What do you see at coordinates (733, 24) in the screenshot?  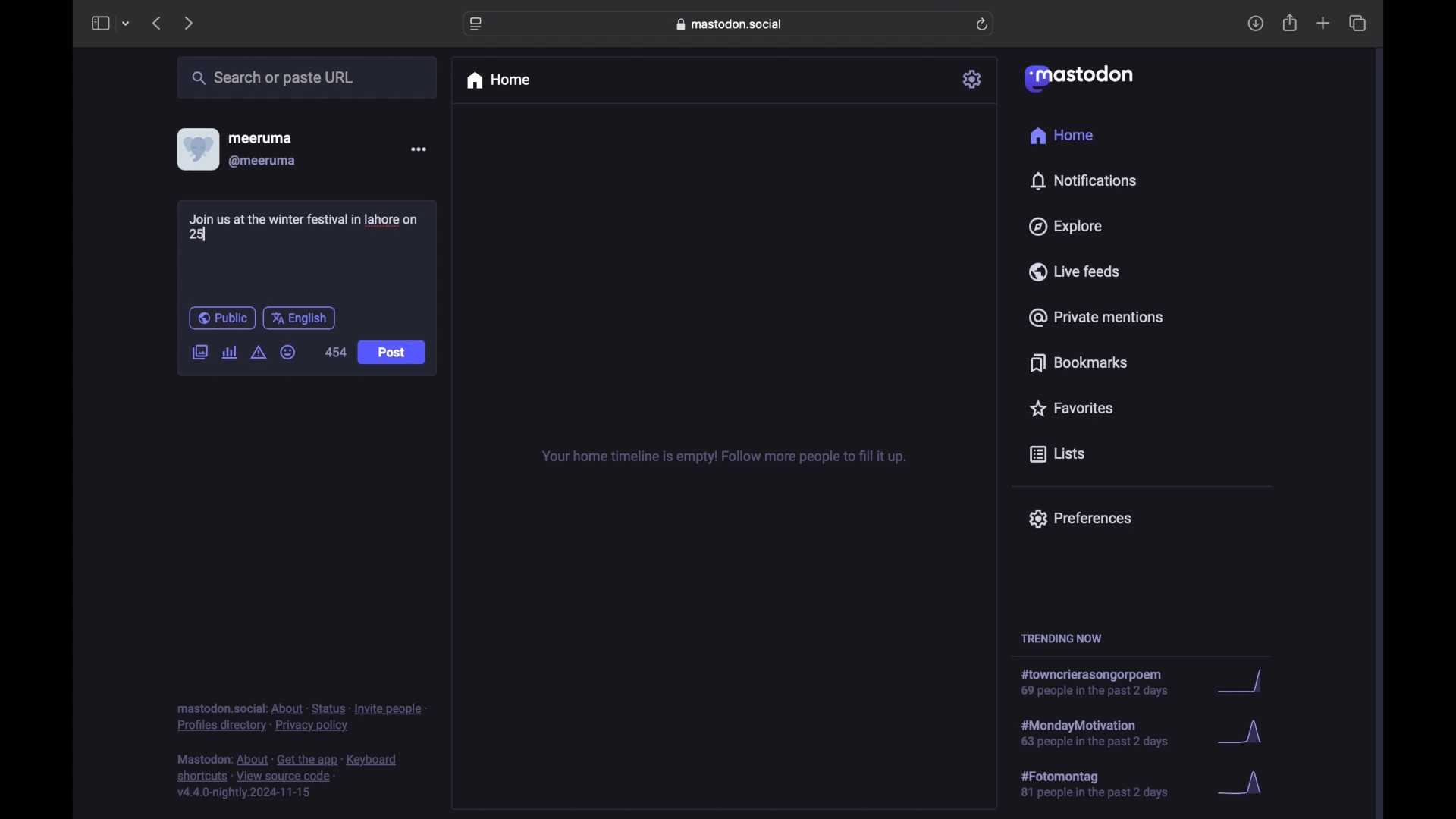 I see `web address` at bounding box center [733, 24].